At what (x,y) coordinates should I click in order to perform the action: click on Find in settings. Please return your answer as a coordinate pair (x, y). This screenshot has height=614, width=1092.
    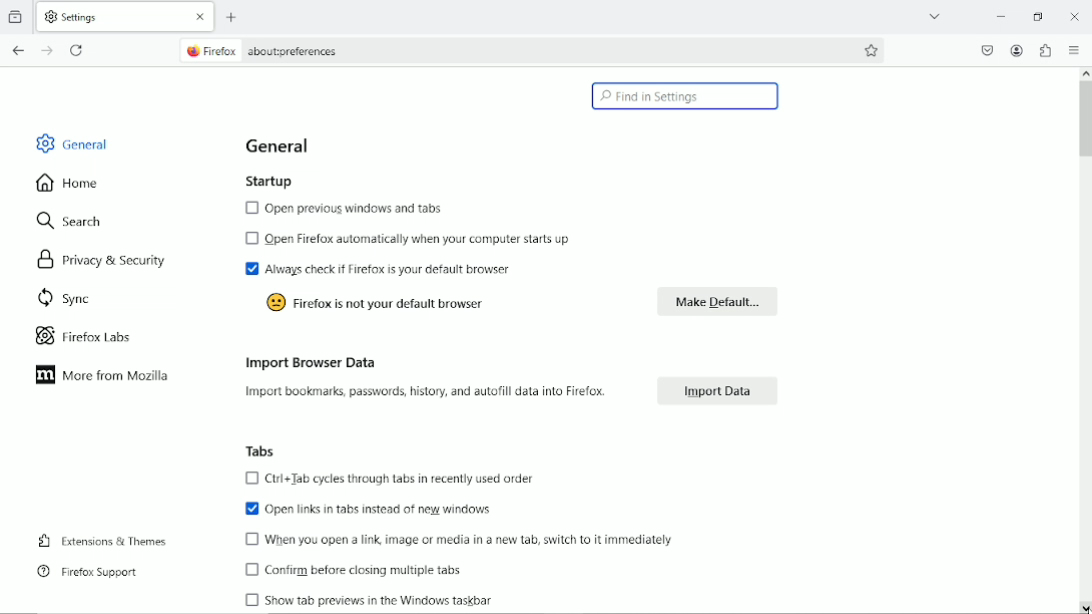
    Looking at the image, I should click on (685, 97).